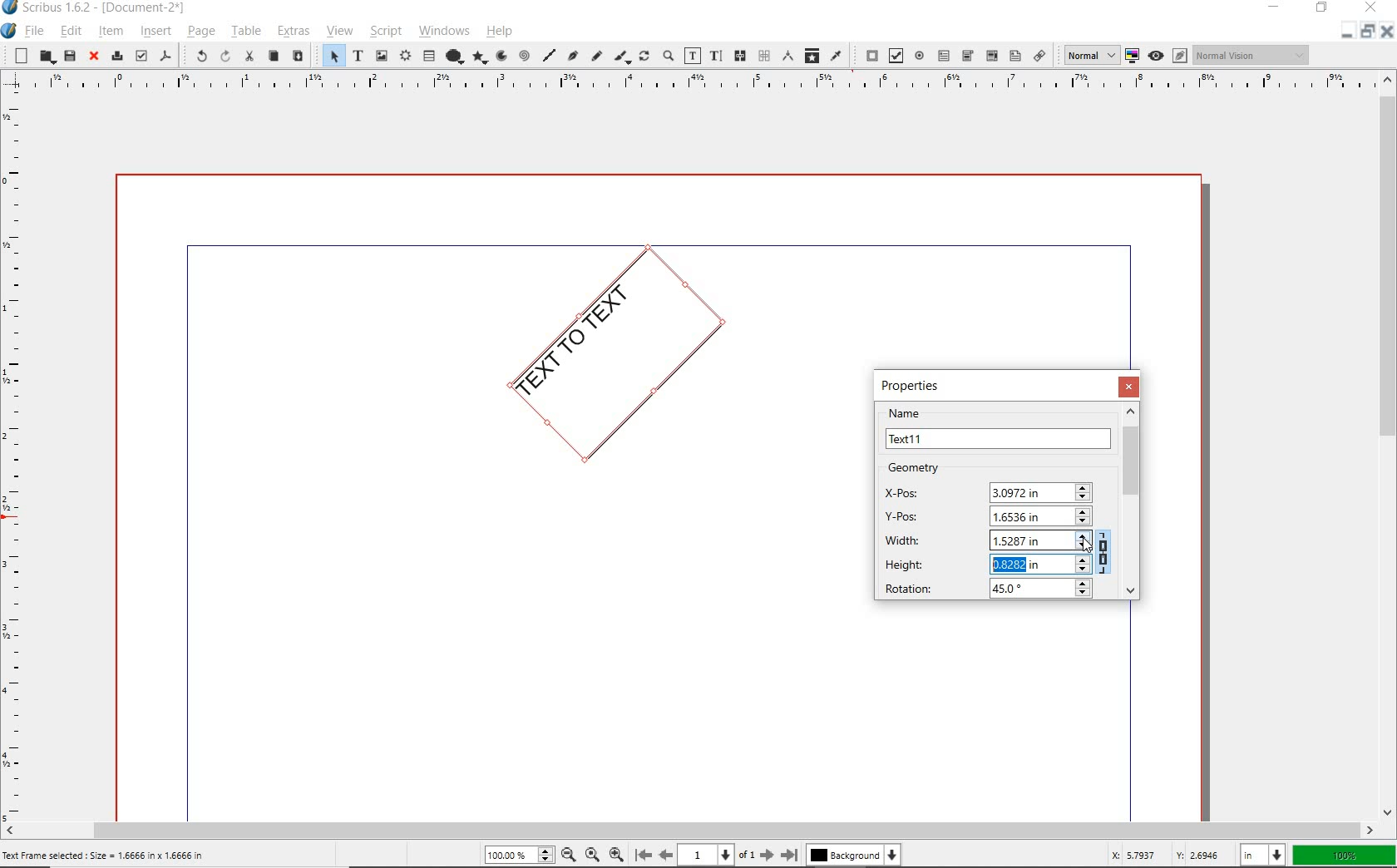 The width and height of the screenshot is (1397, 868). Describe the element at coordinates (1015, 563) in the screenshot. I see `HEIGHT CHANGED` at that location.